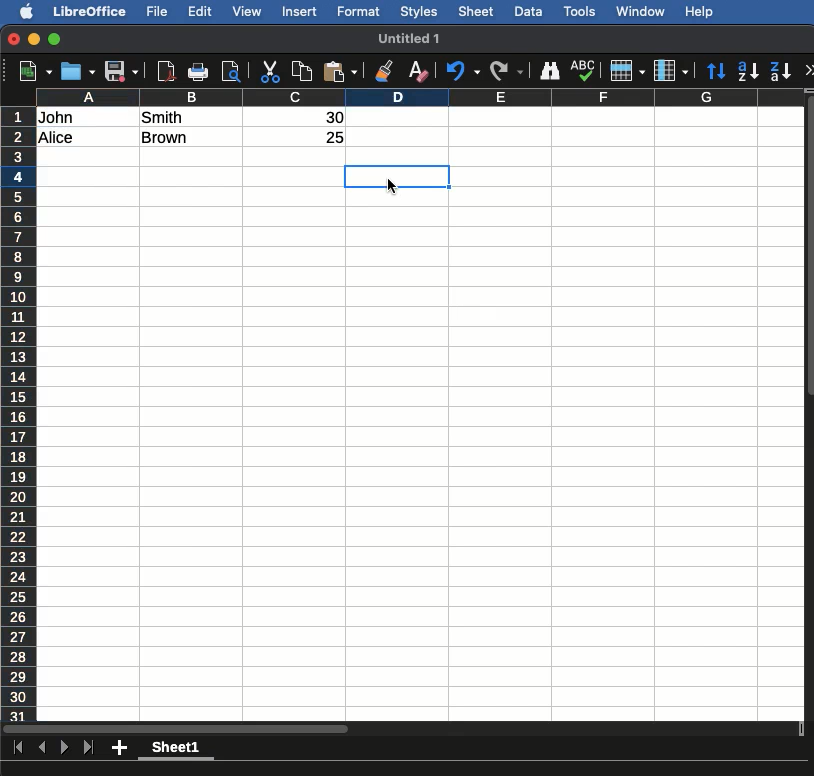  What do you see at coordinates (420, 13) in the screenshot?
I see `Styles` at bounding box center [420, 13].